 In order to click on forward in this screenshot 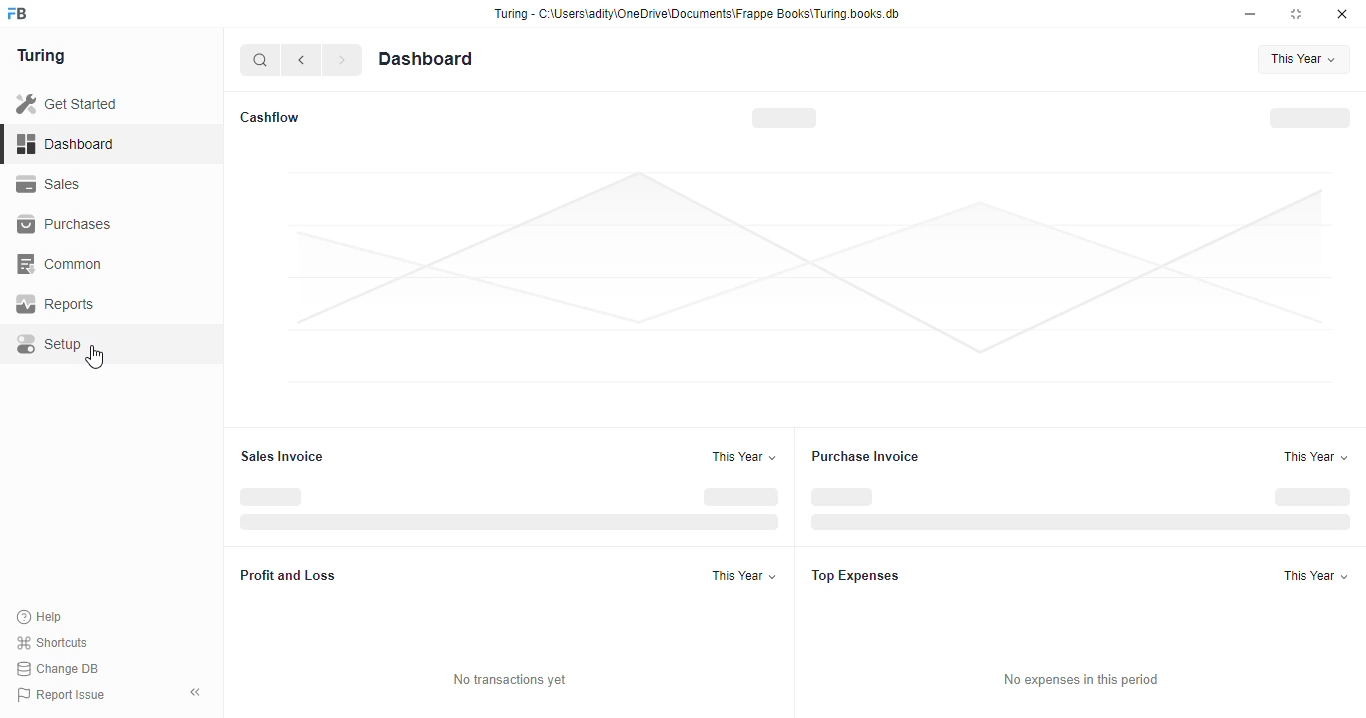, I will do `click(341, 61)`.